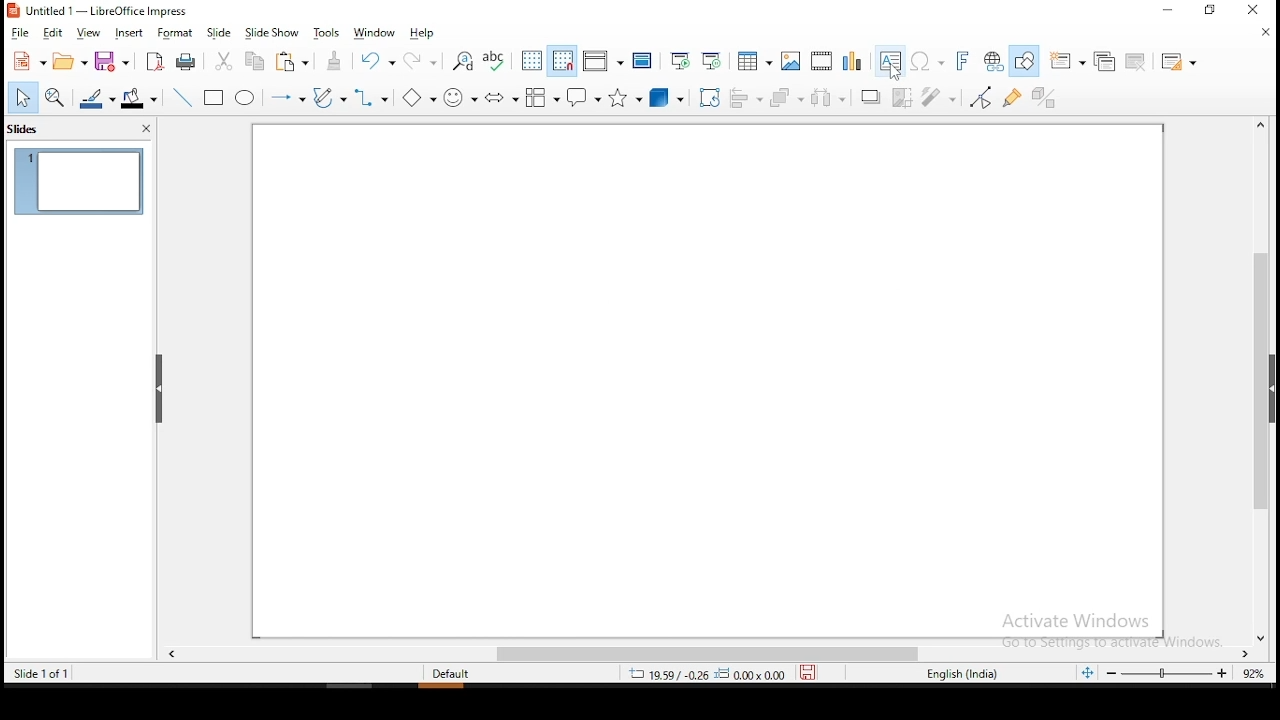  What do you see at coordinates (417, 98) in the screenshot?
I see `basic shapes` at bounding box center [417, 98].